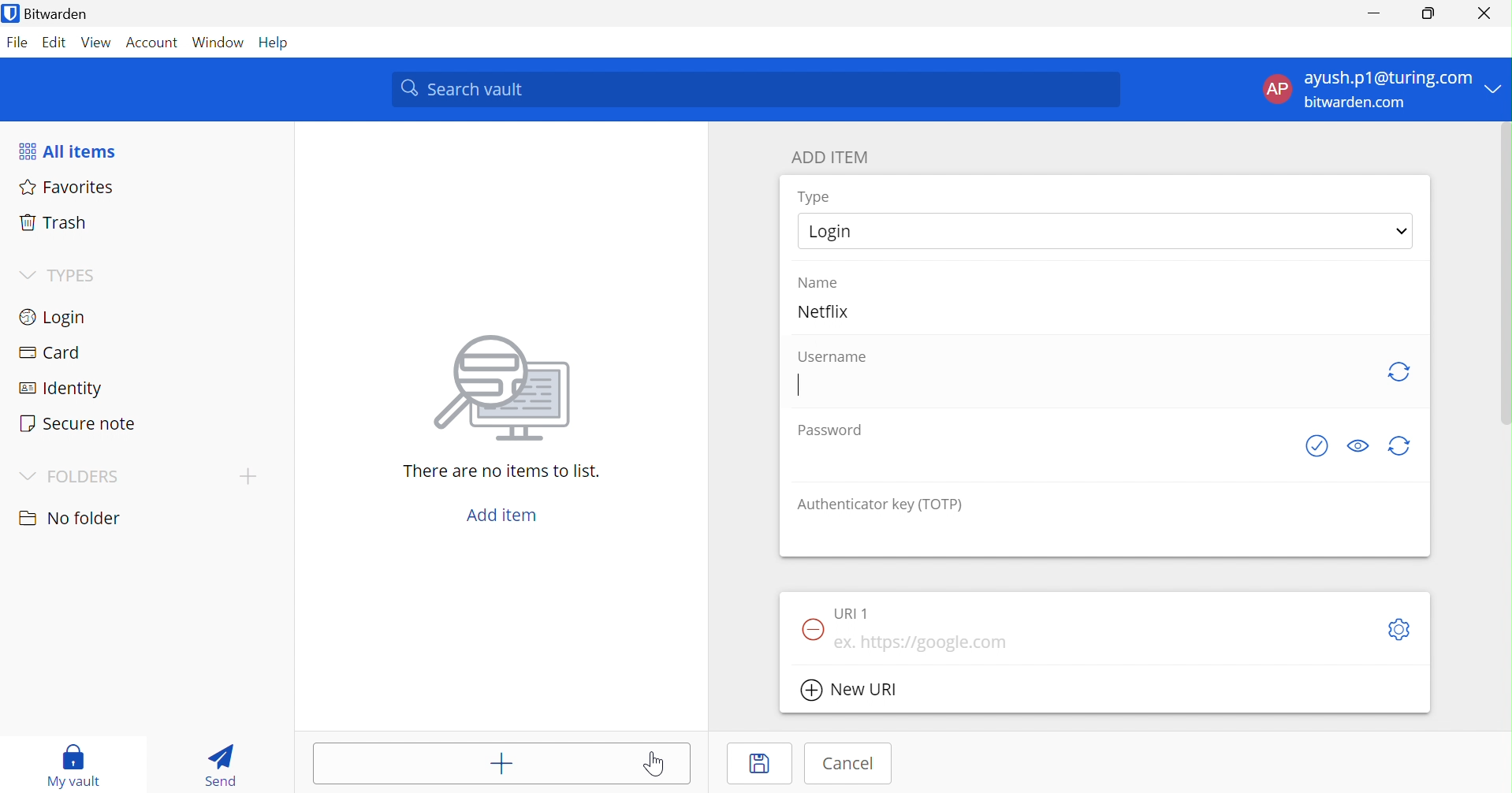 The width and height of the screenshot is (1512, 793). What do you see at coordinates (833, 358) in the screenshot?
I see `Username` at bounding box center [833, 358].